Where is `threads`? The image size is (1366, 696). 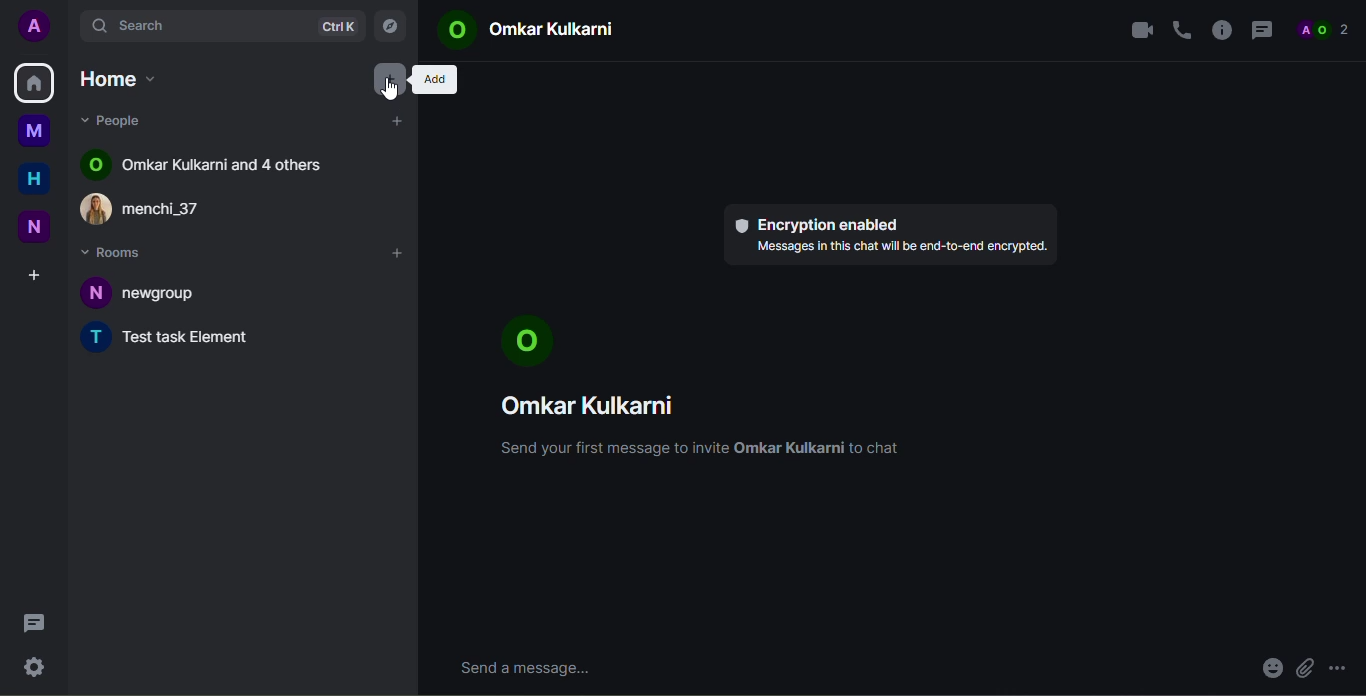
threads is located at coordinates (33, 623).